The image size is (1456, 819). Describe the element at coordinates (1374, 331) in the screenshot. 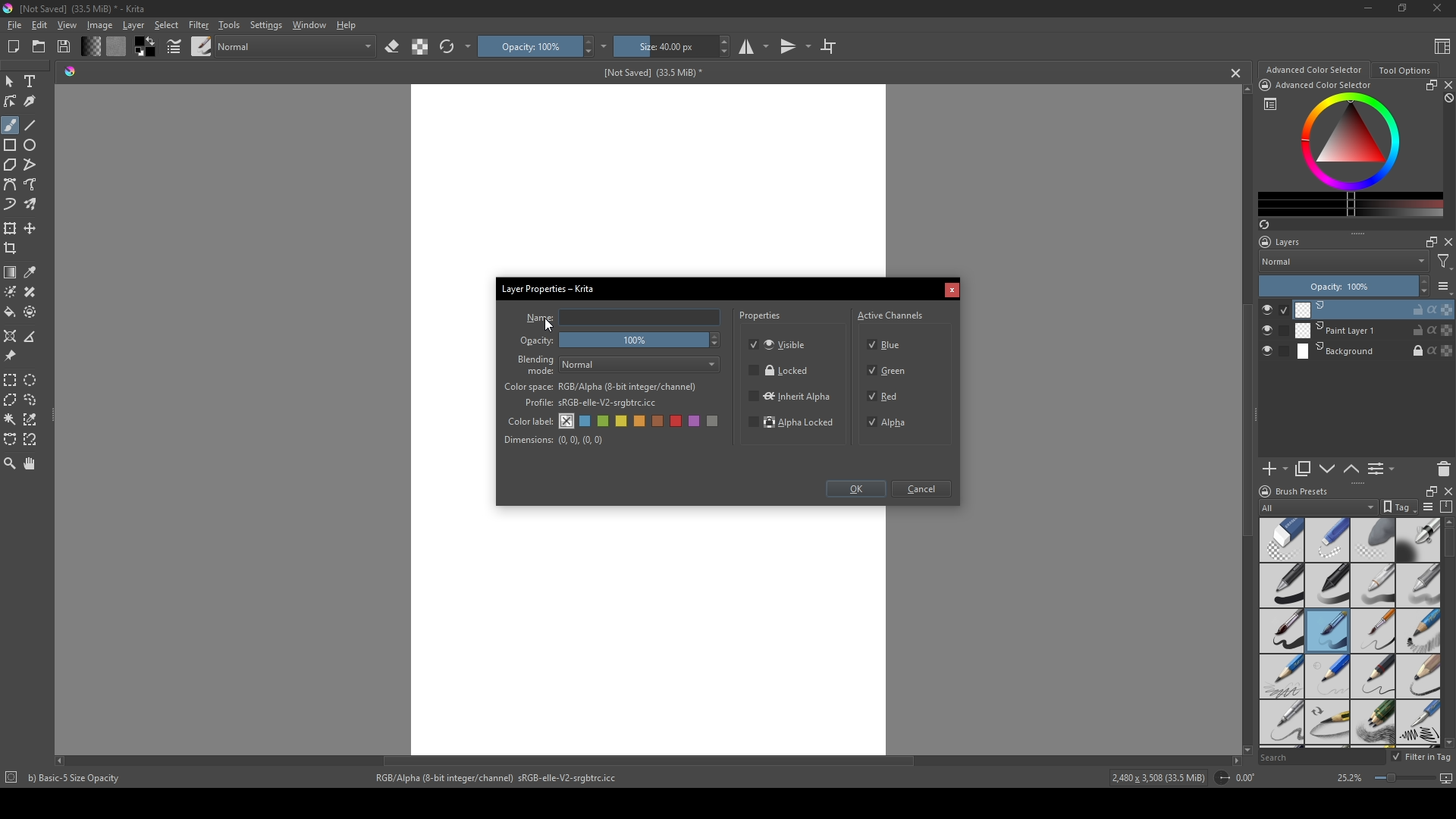

I see `Print Layer 1` at that location.